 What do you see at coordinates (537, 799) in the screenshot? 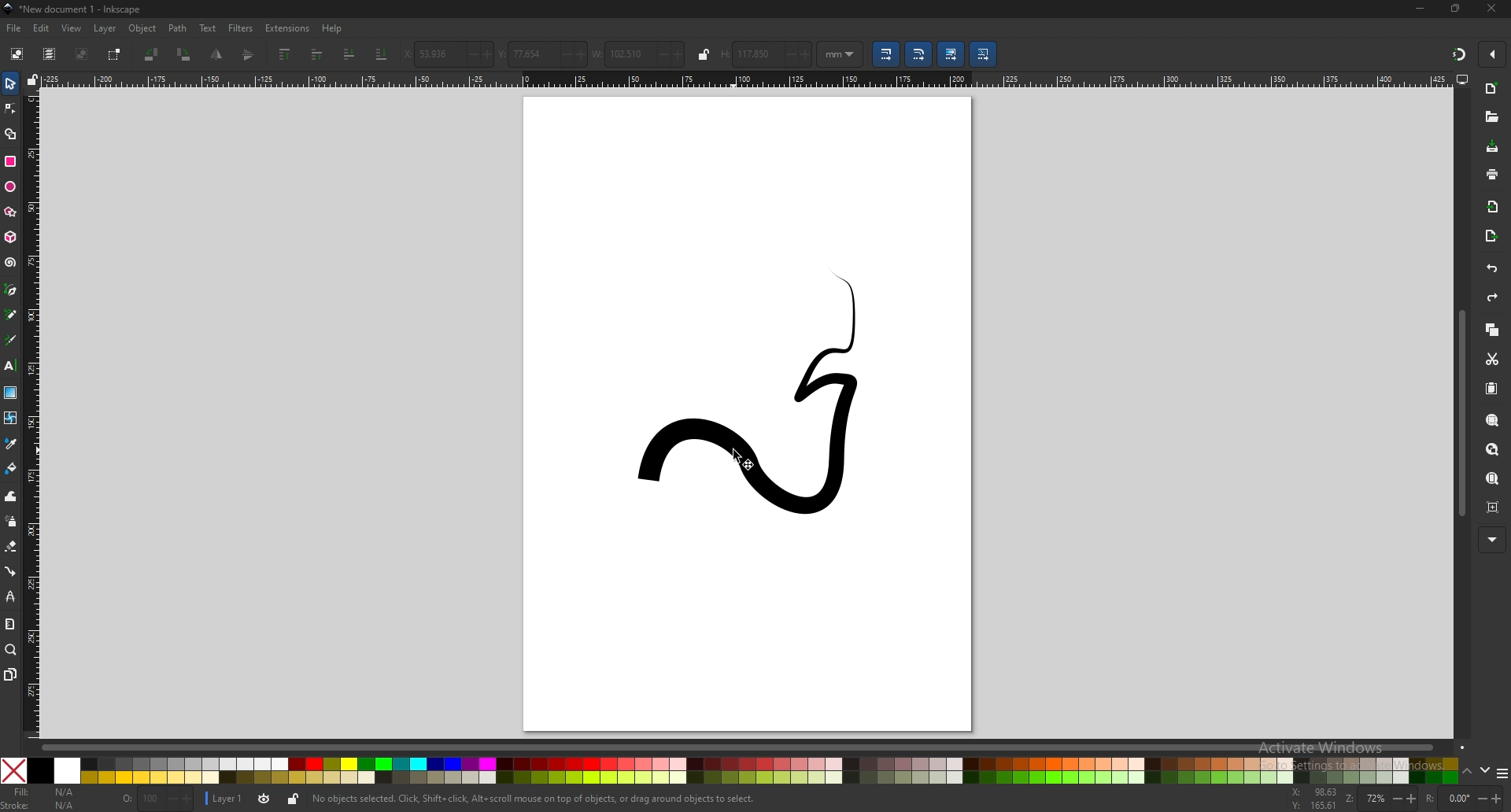
I see `info` at bounding box center [537, 799].